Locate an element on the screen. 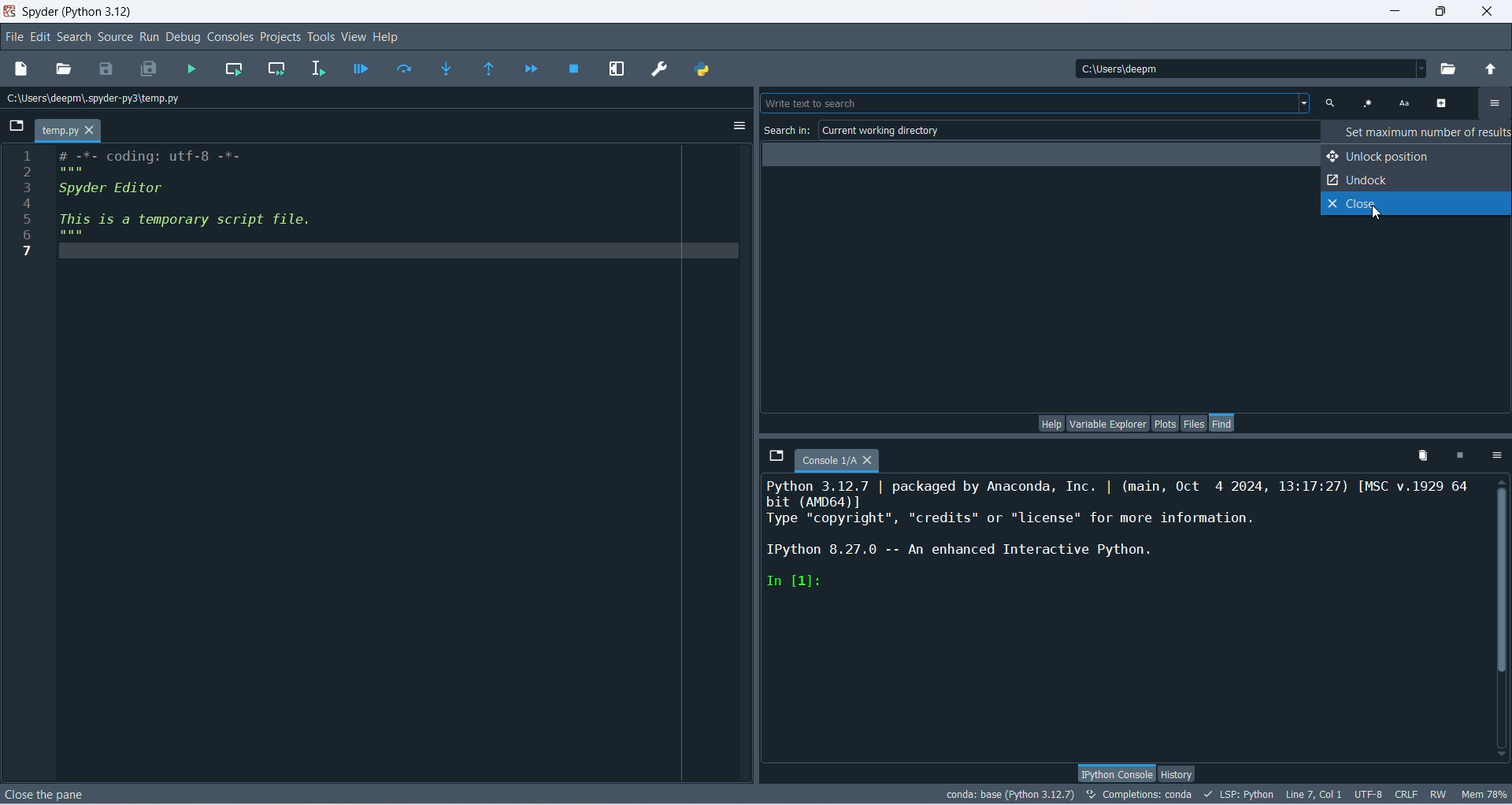 The height and width of the screenshot is (805, 1512). step into function is located at coordinates (448, 69).